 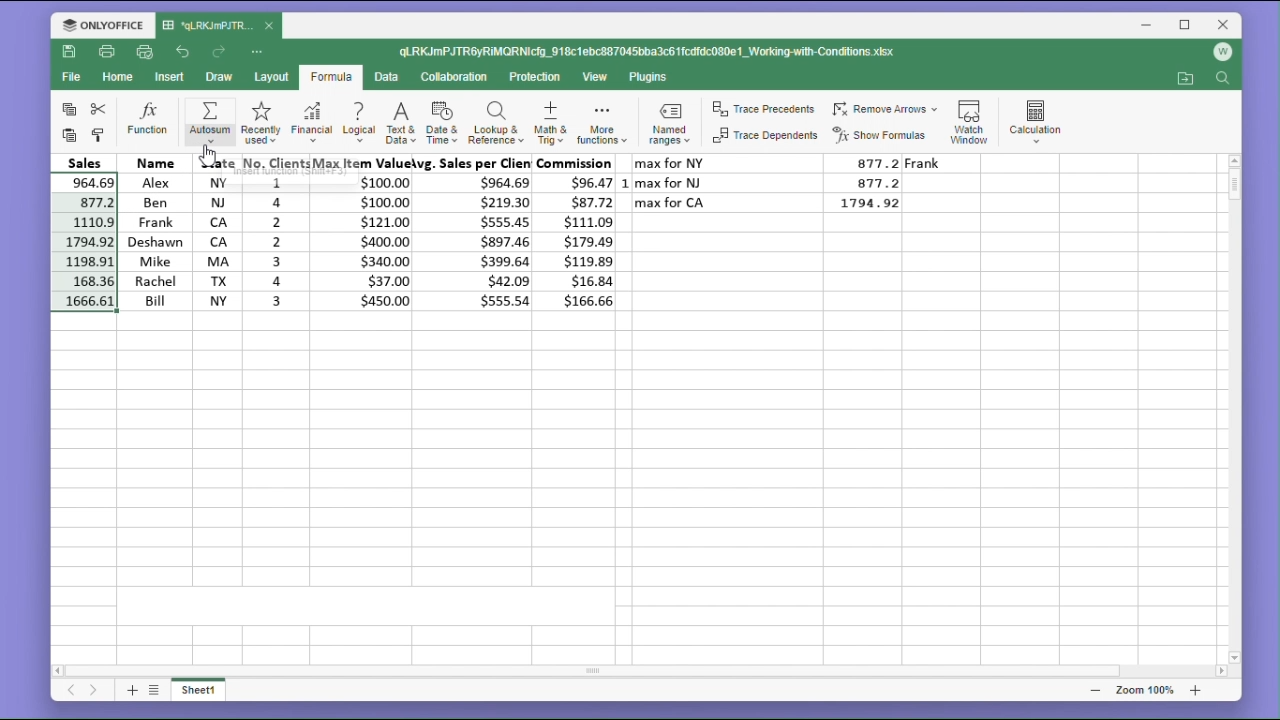 What do you see at coordinates (157, 689) in the screenshot?
I see `list of sheets` at bounding box center [157, 689].